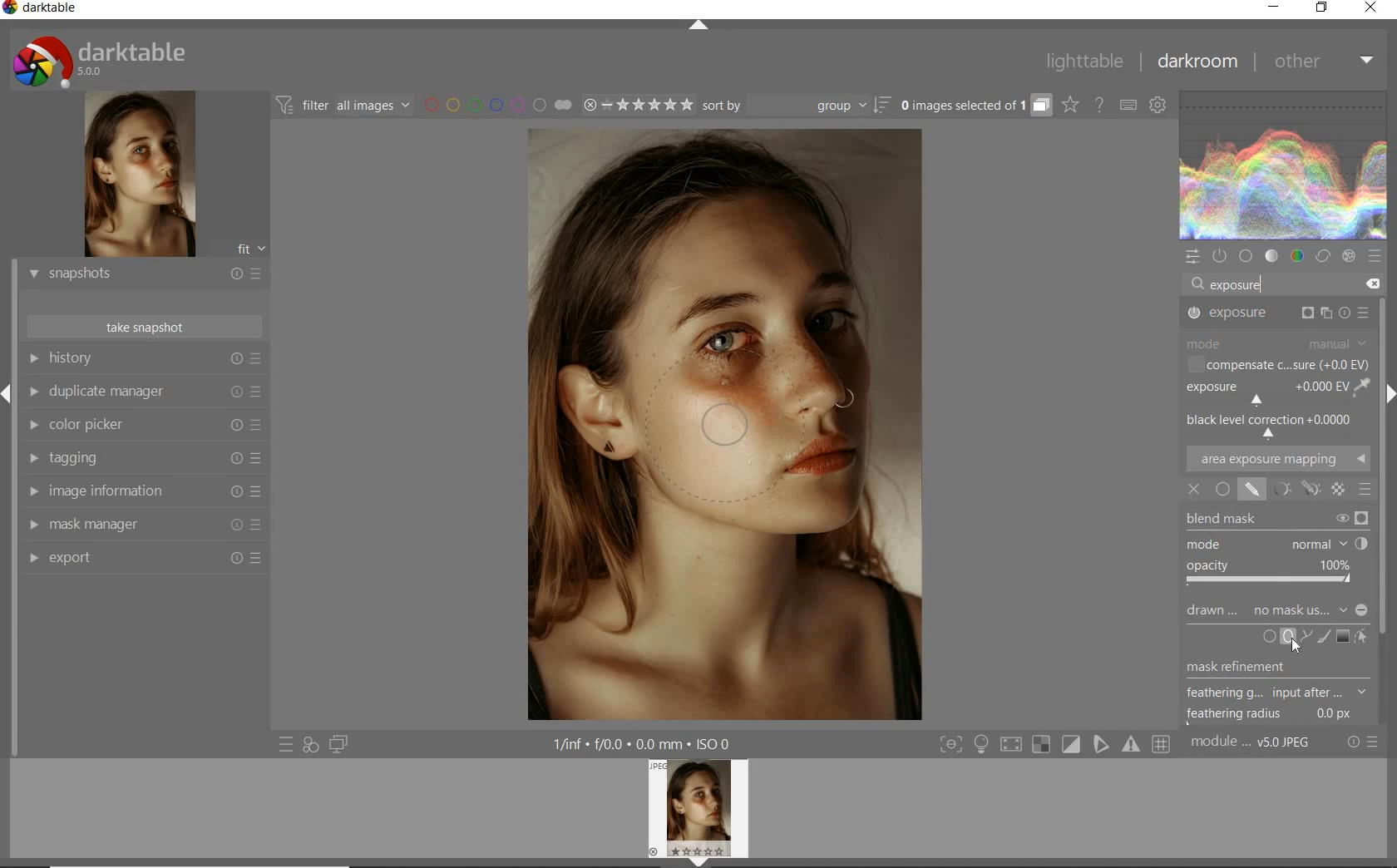 Image resolution: width=1397 pixels, height=868 pixels. What do you see at coordinates (1382, 452) in the screenshot?
I see `scrollbar` at bounding box center [1382, 452].